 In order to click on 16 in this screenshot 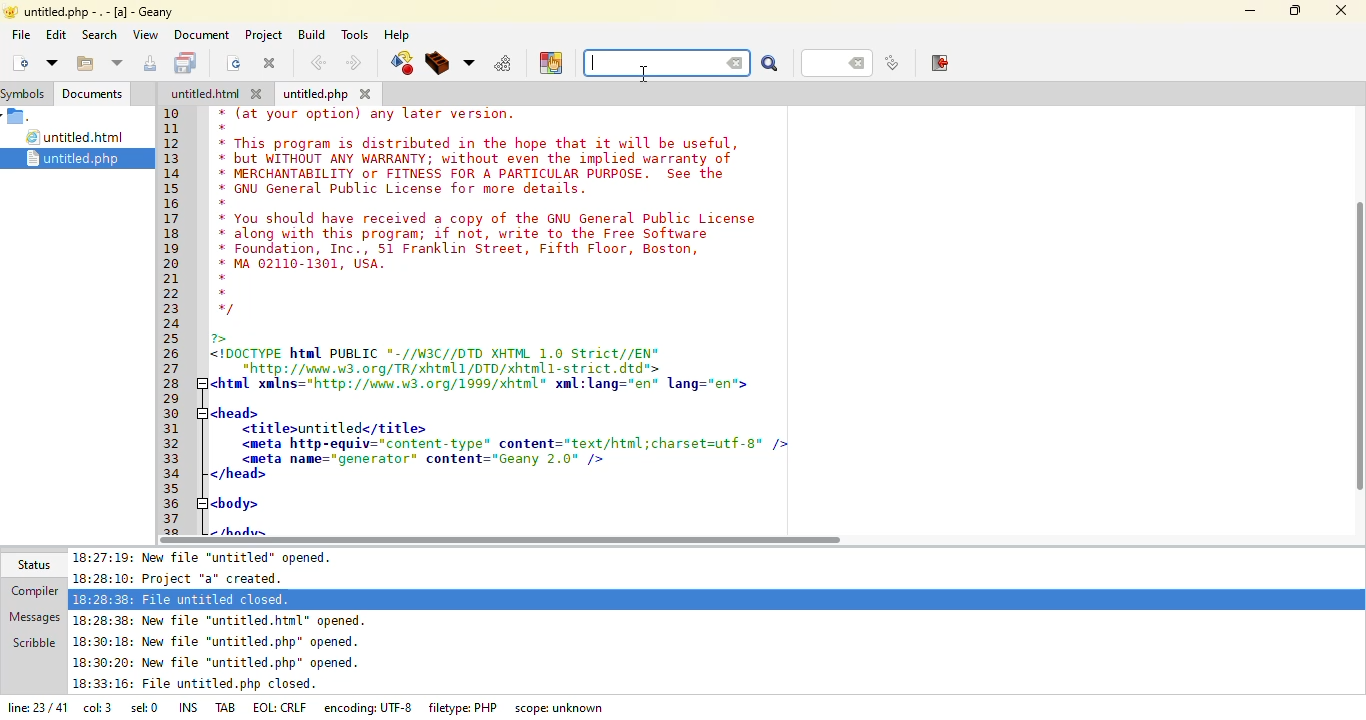, I will do `click(172, 204)`.